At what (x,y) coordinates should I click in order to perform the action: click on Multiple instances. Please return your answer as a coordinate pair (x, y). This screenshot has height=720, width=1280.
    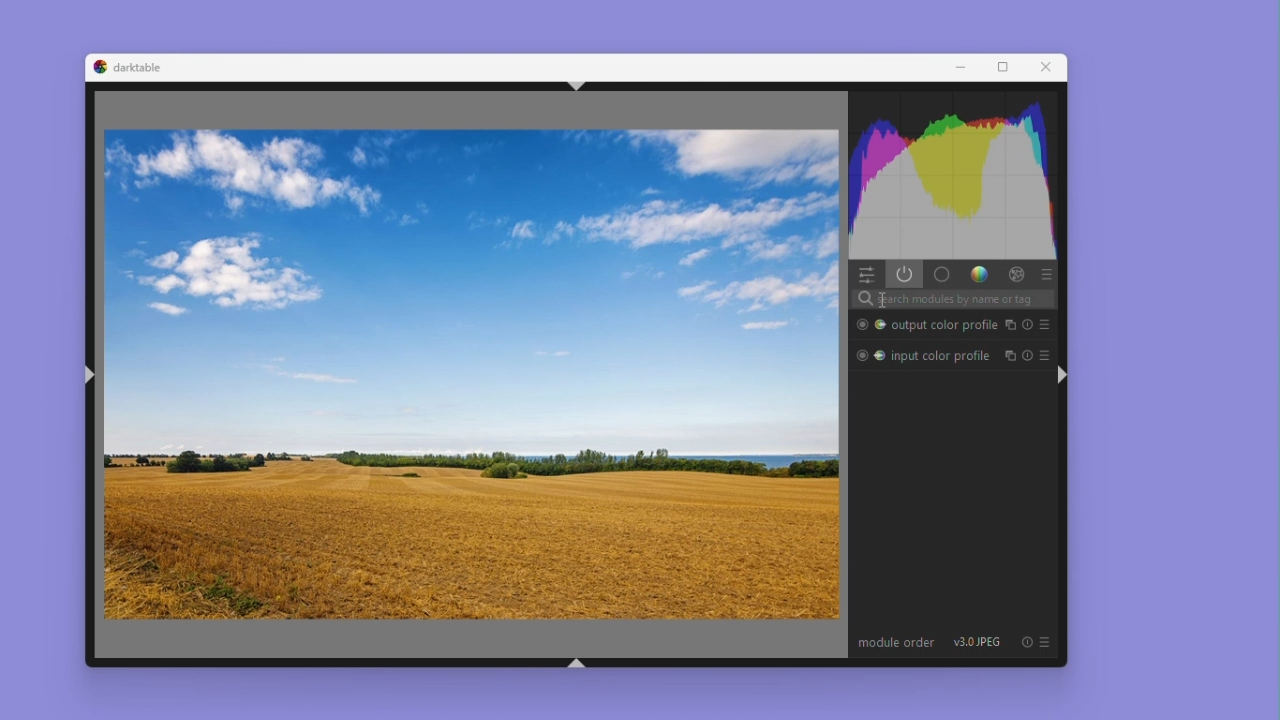
    Looking at the image, I should click on (1009, 323).